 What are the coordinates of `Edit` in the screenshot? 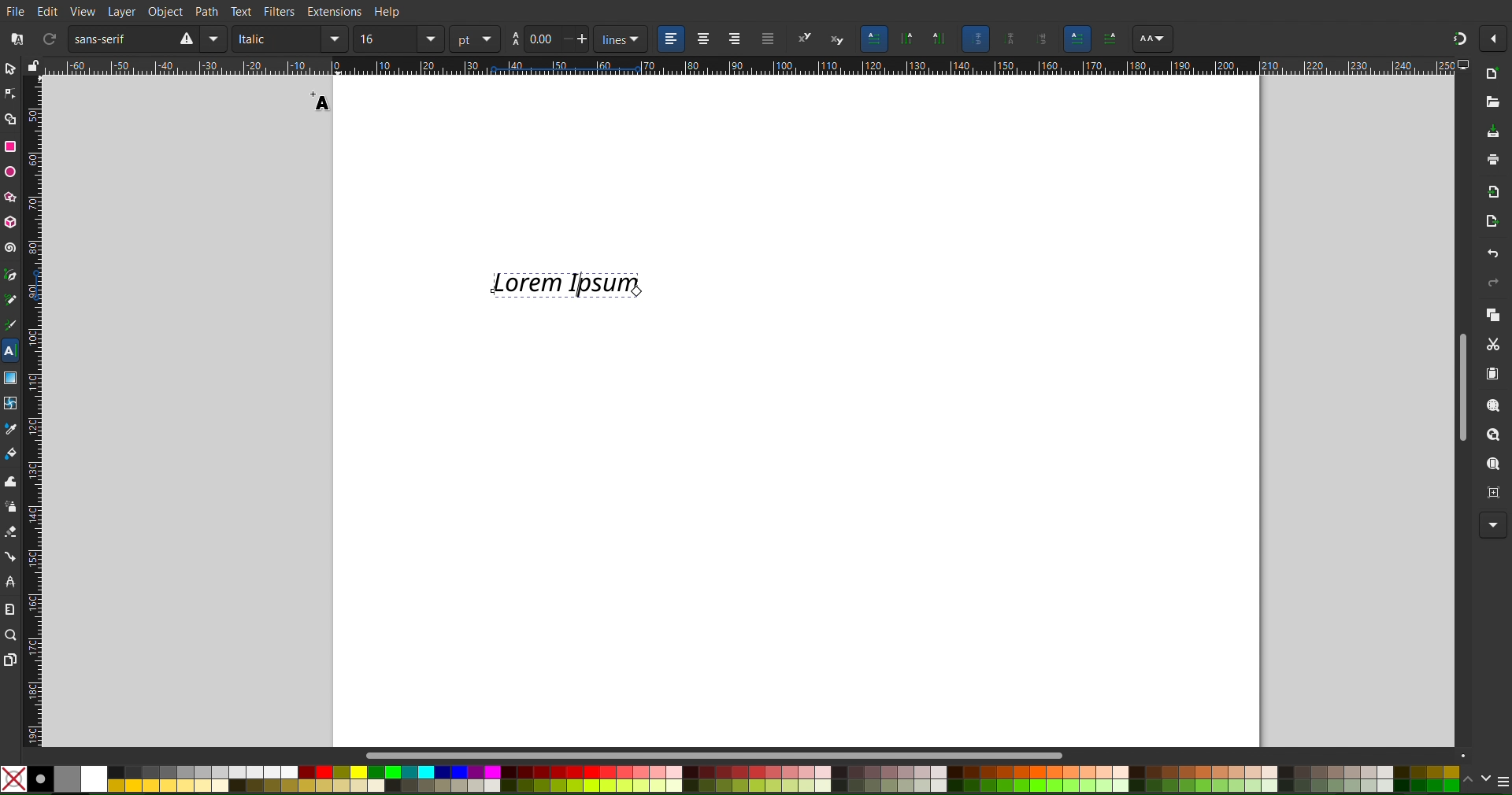 It's located at (45, 11).